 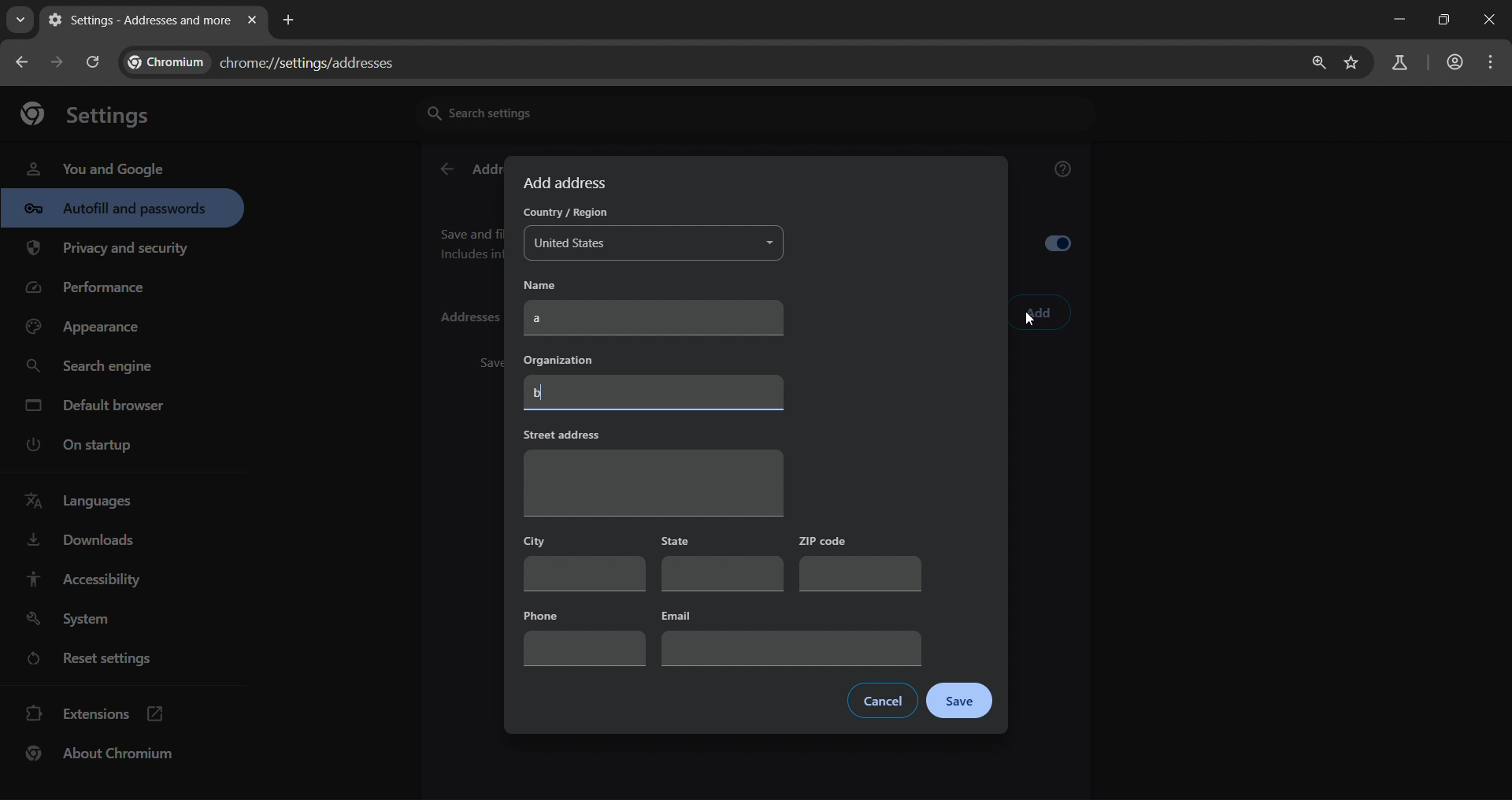 What do you see at coordinates (102, 753) in the screenshot?
I see `bout chromium` at bounding box center [102, 753].